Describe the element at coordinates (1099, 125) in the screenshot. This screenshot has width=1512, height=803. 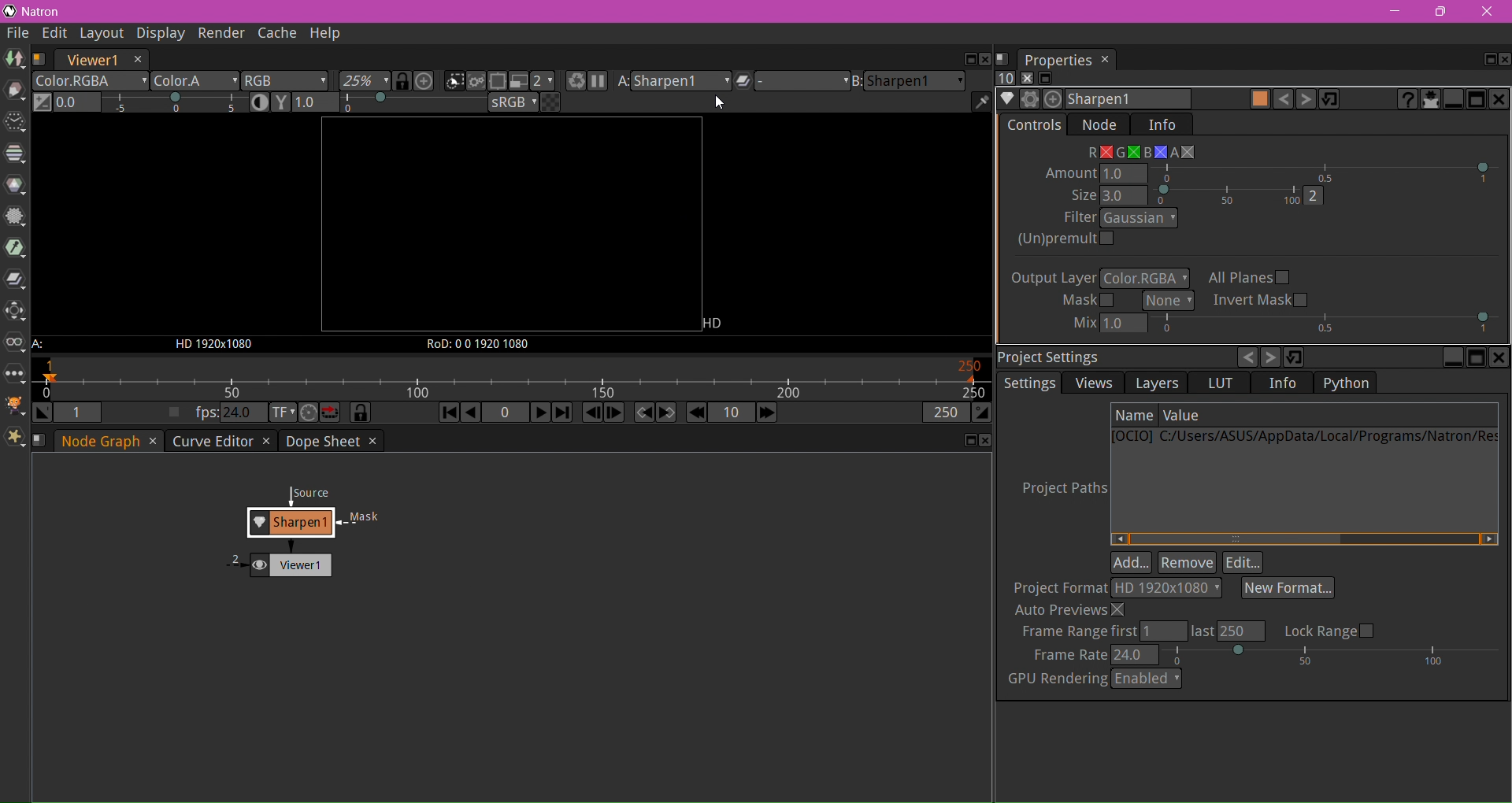
I see `Node` at that location.